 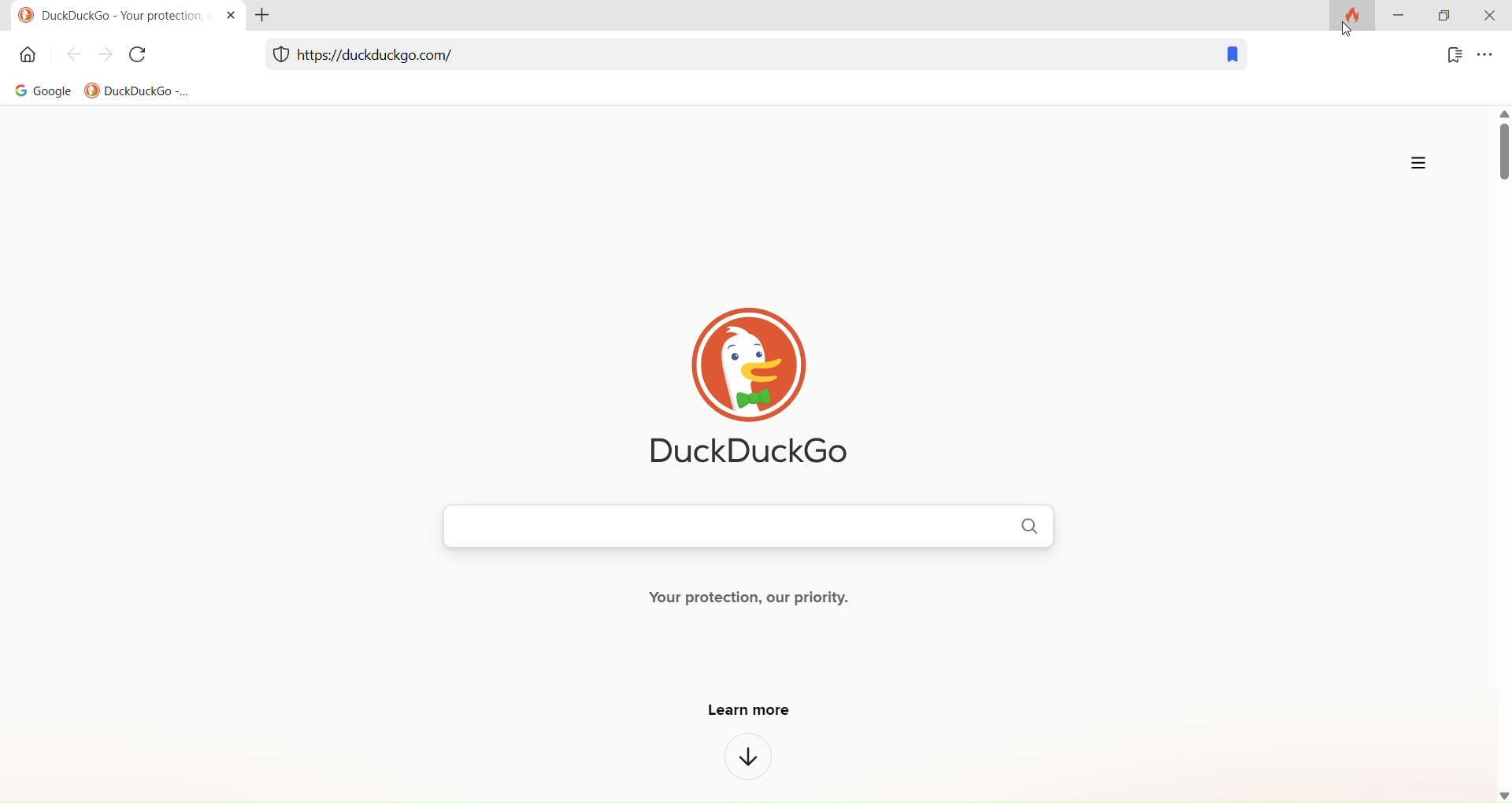 I want to click on down, so click(x=747, y=764).